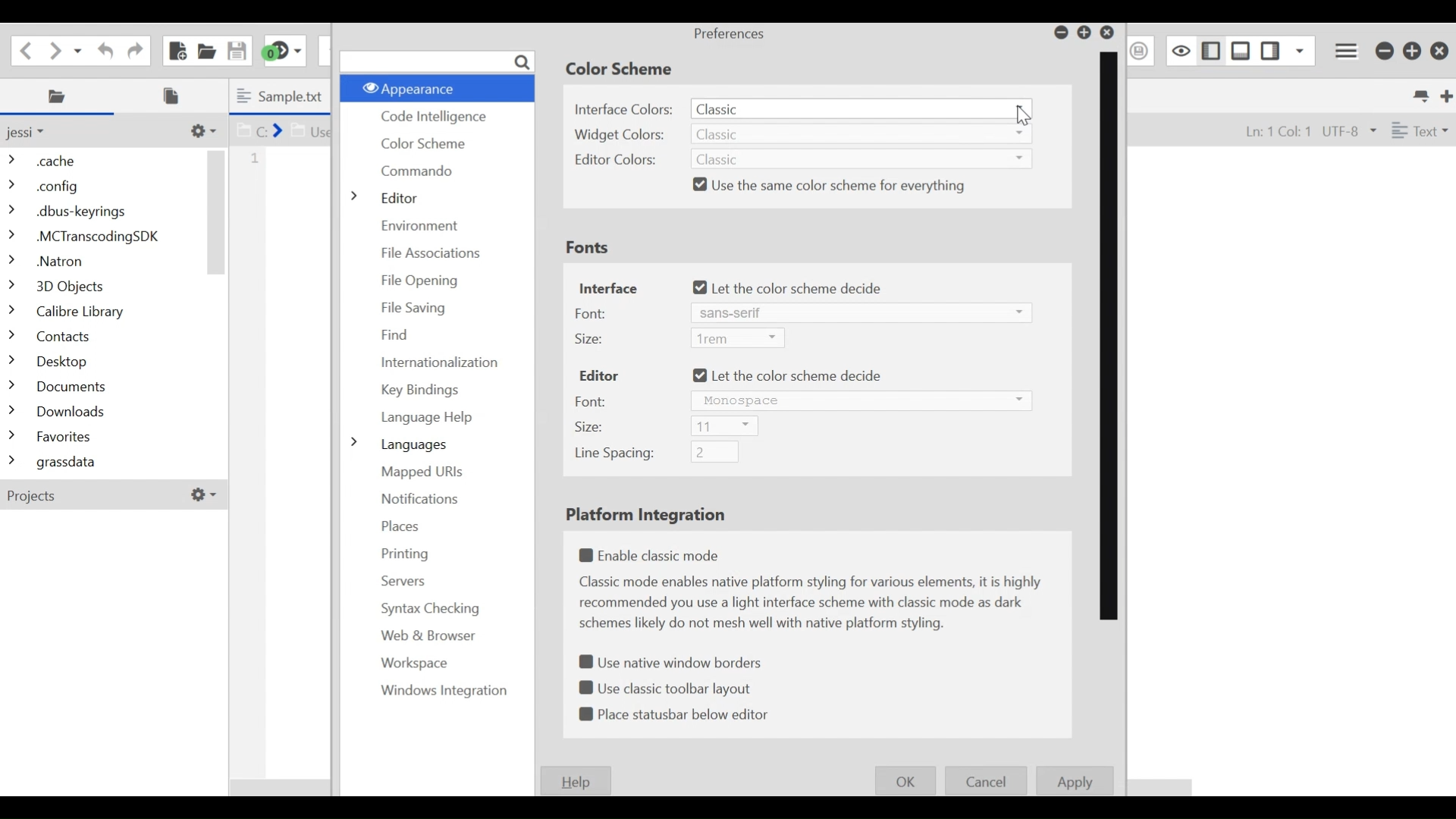 The height and width of the screenshot is (819, 1456). What do you see at coordinates (625, 108) in the screenshot?
I see `Interface Colors` at bounding box center [625, 108].